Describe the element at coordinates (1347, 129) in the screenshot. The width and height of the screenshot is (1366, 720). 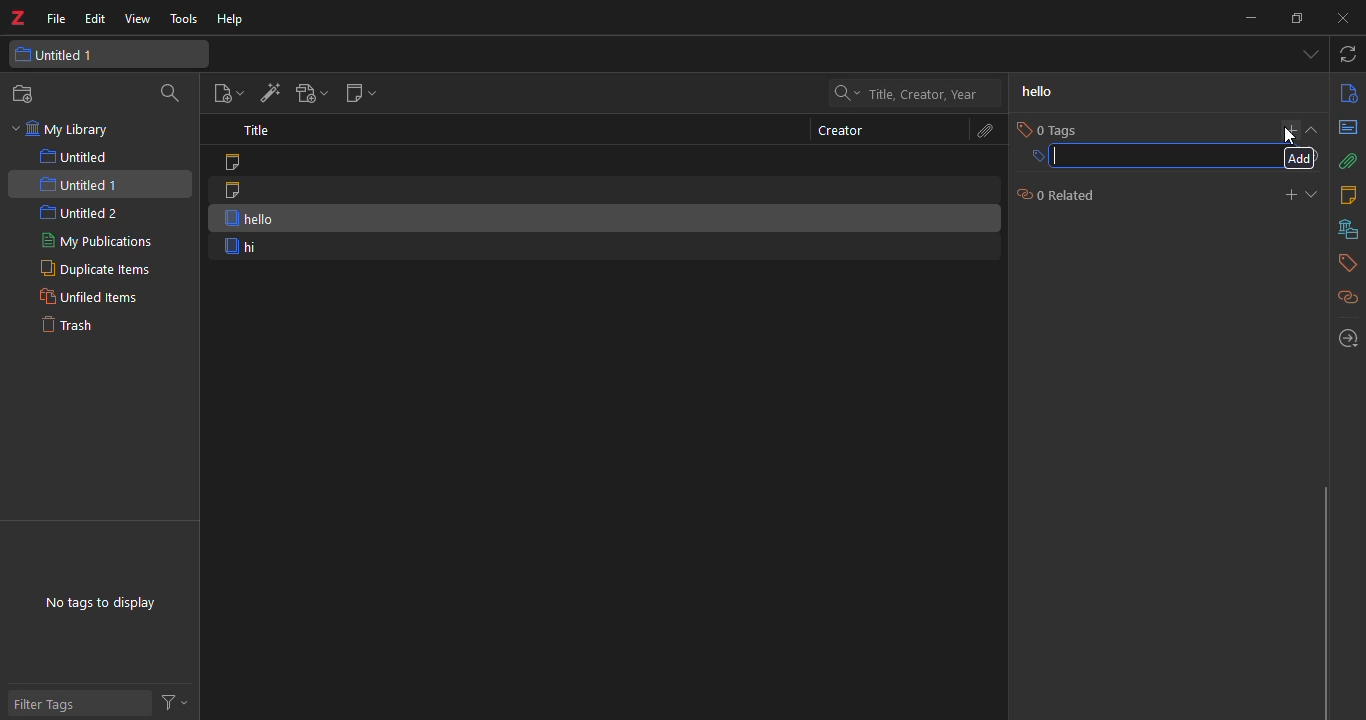
I see `abstract` at that location.